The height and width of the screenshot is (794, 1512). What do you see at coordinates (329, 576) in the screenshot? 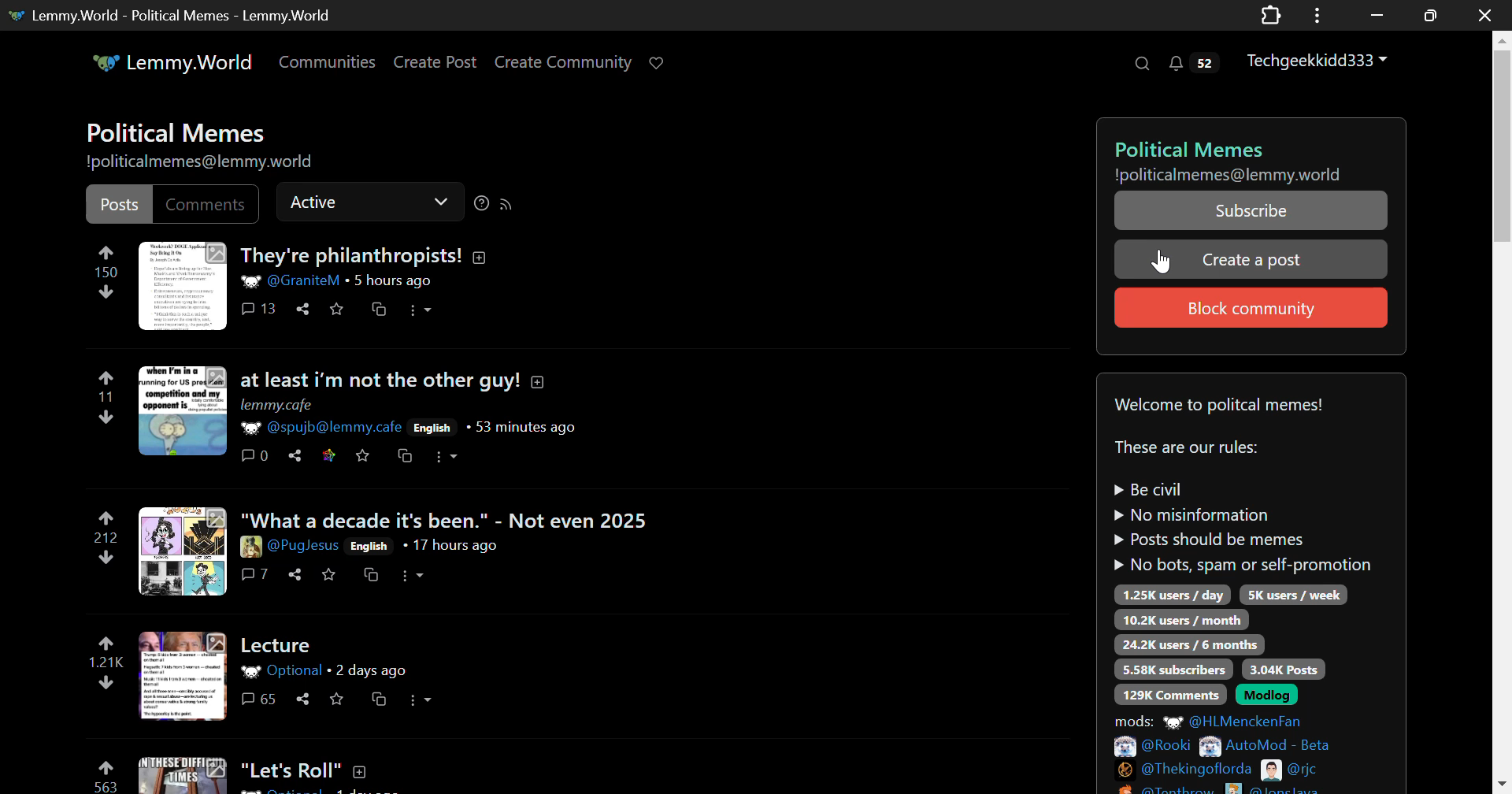
I see `Save` at bounding box center [329, 576].